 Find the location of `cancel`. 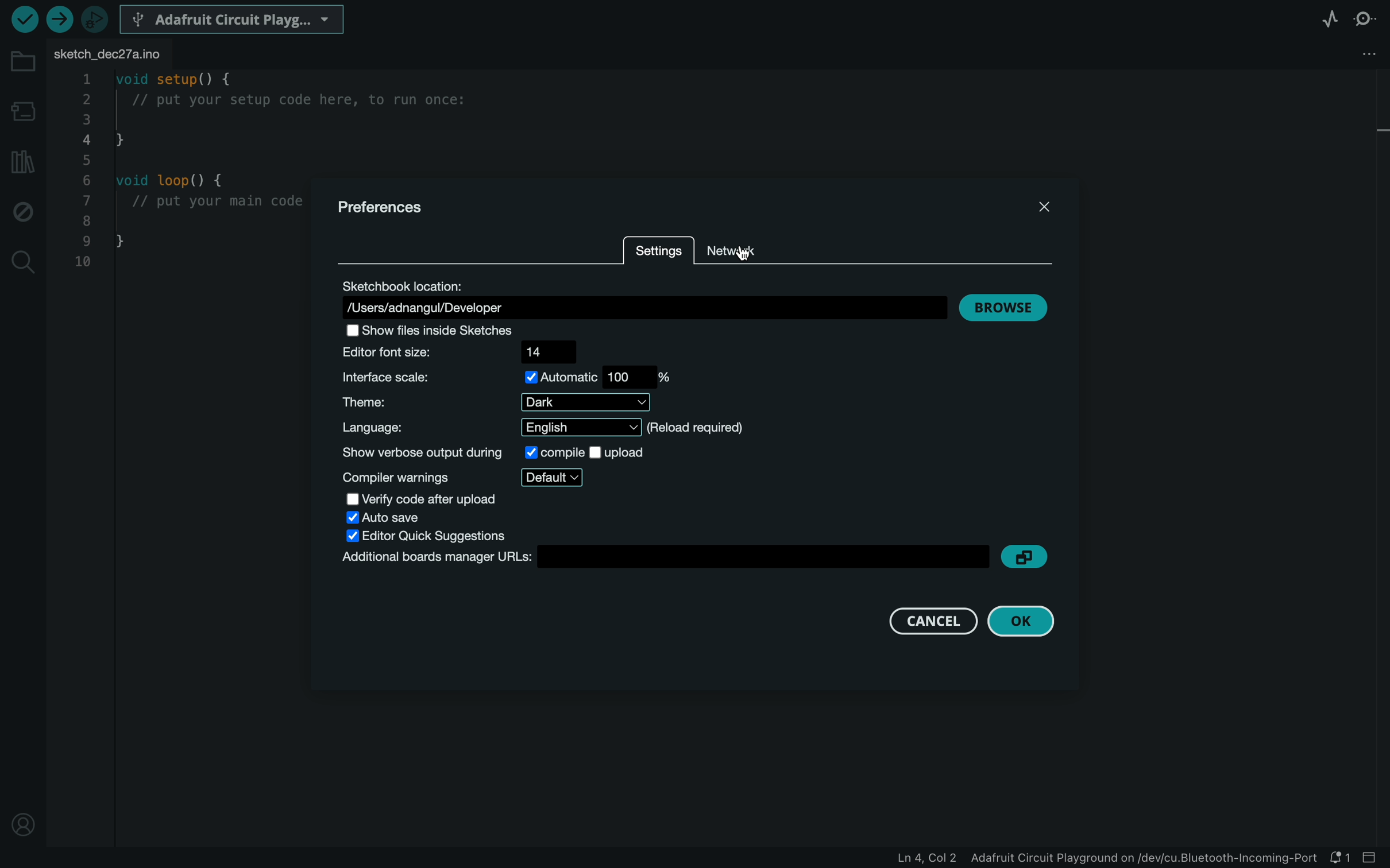

cancel is located at coordinates (932, 617).